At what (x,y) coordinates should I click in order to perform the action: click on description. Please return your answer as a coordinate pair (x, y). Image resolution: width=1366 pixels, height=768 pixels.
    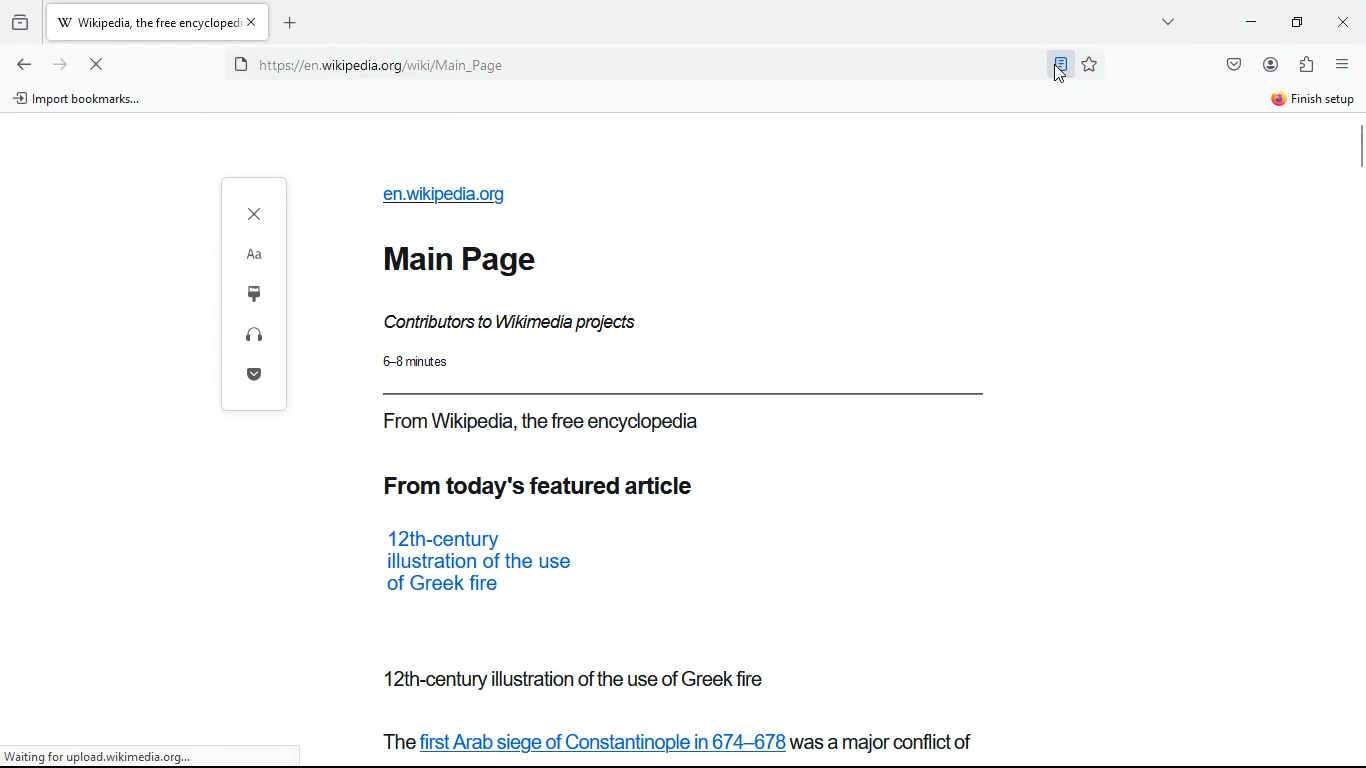
    Looking at the image, I should click on (511, 323).